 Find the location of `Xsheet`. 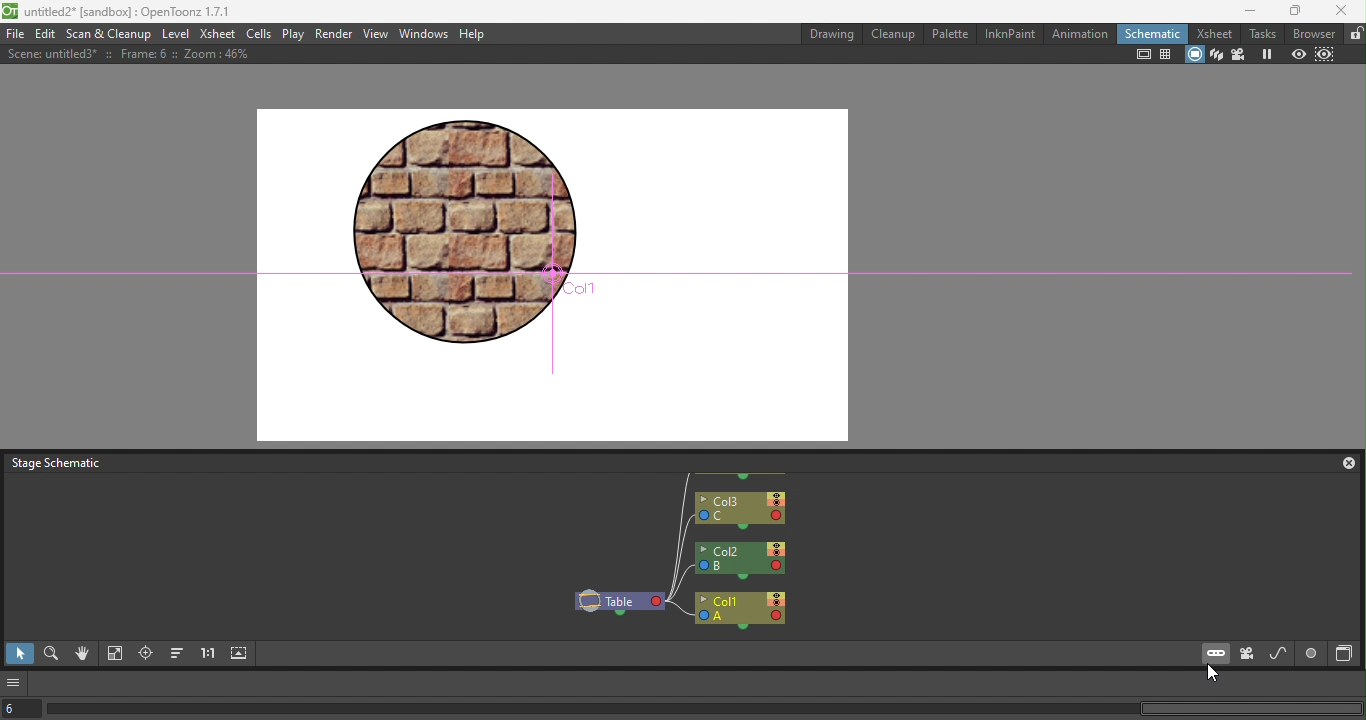

Xsheet is located at coordinates (1217, 33).